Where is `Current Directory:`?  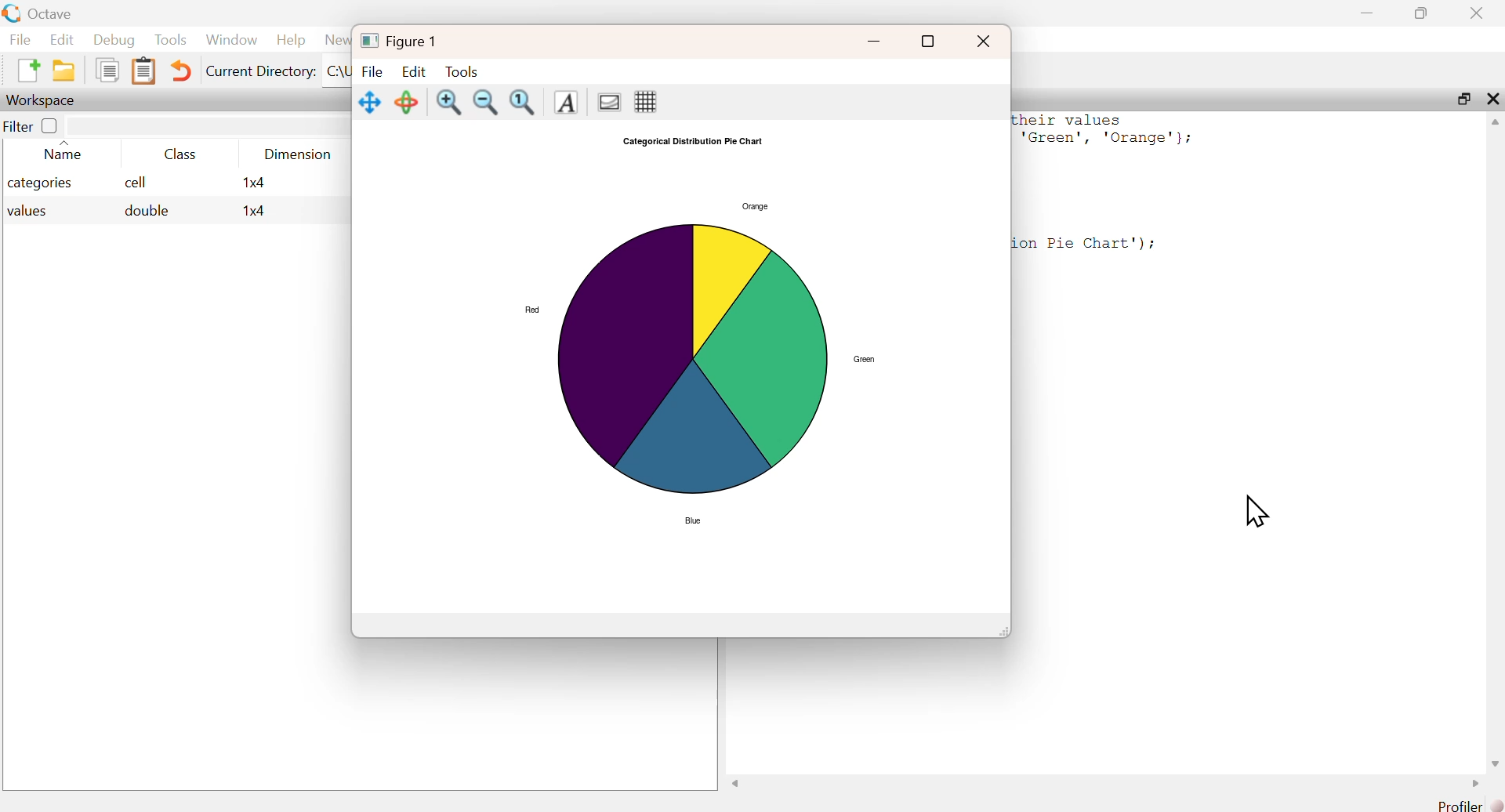
Current Directory: is located at coordinates (260, 71).